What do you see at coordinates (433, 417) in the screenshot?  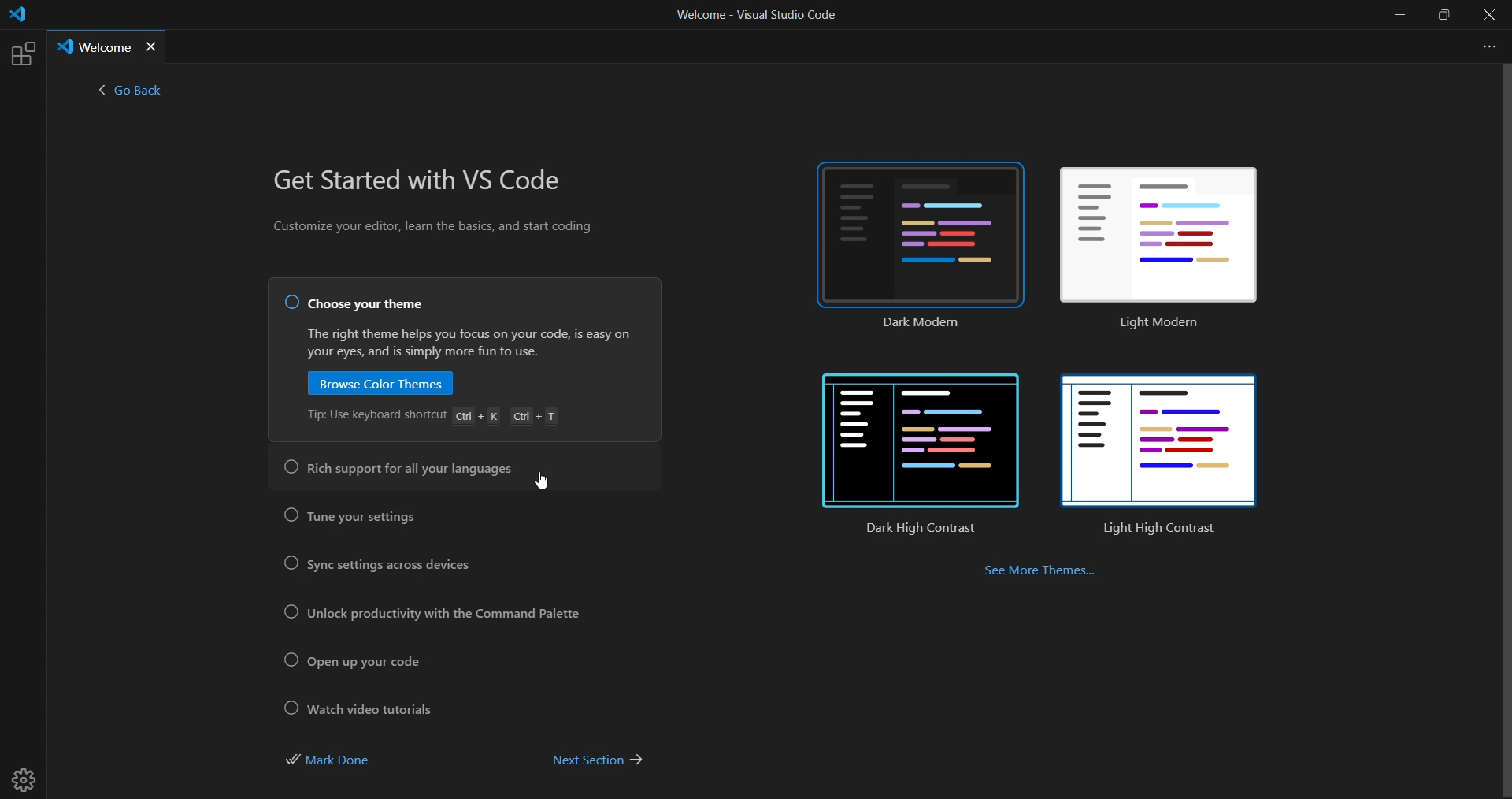 I see `Tip: Use keyboard shortcut Ctrl + K Ctrl + T` at bounding box center [433, 417].